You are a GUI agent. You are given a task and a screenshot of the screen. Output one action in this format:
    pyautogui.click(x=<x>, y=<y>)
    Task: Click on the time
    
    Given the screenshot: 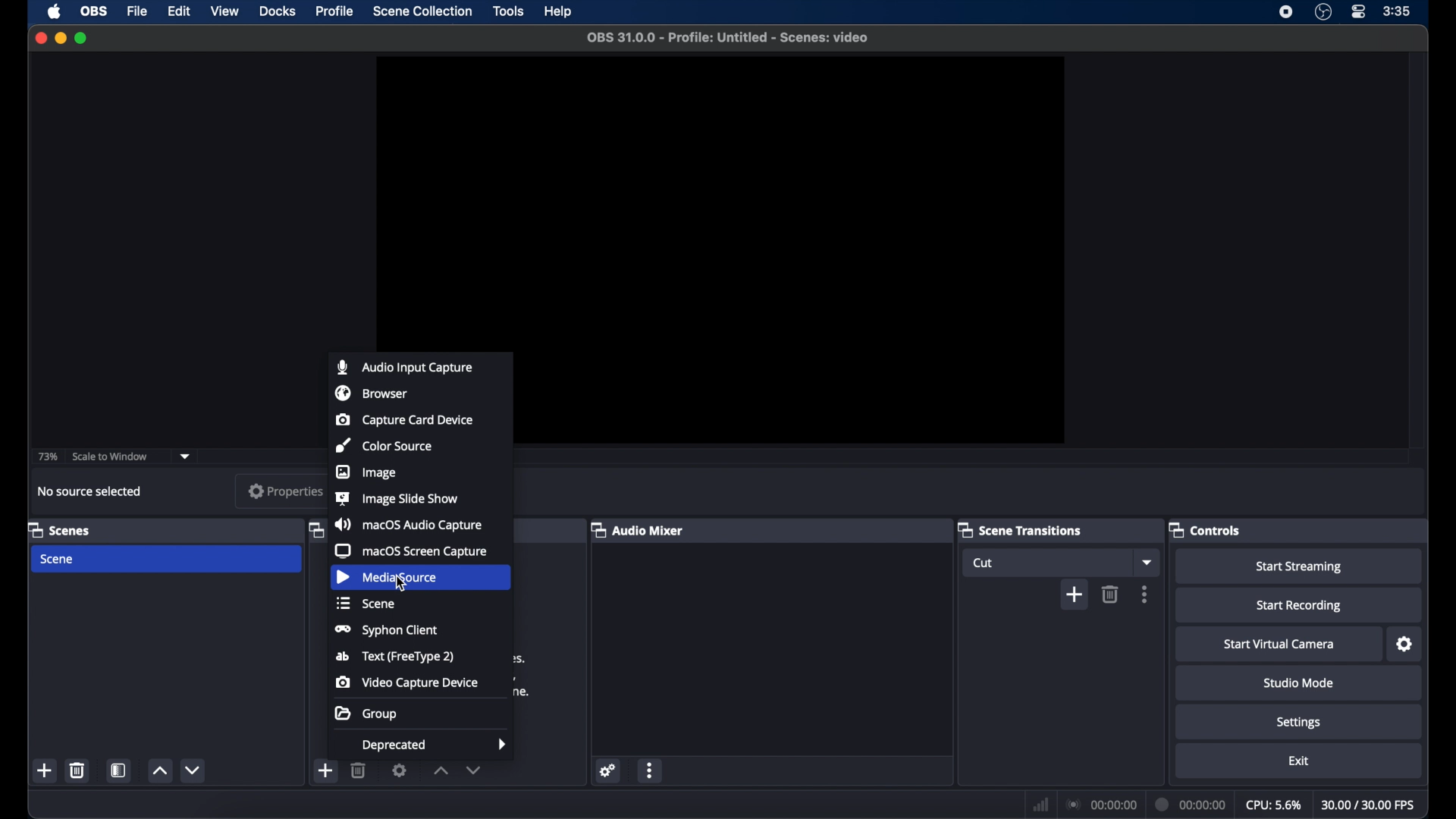 What is the action you would take?
    pyautogui.click(x=1397, y=11)
    